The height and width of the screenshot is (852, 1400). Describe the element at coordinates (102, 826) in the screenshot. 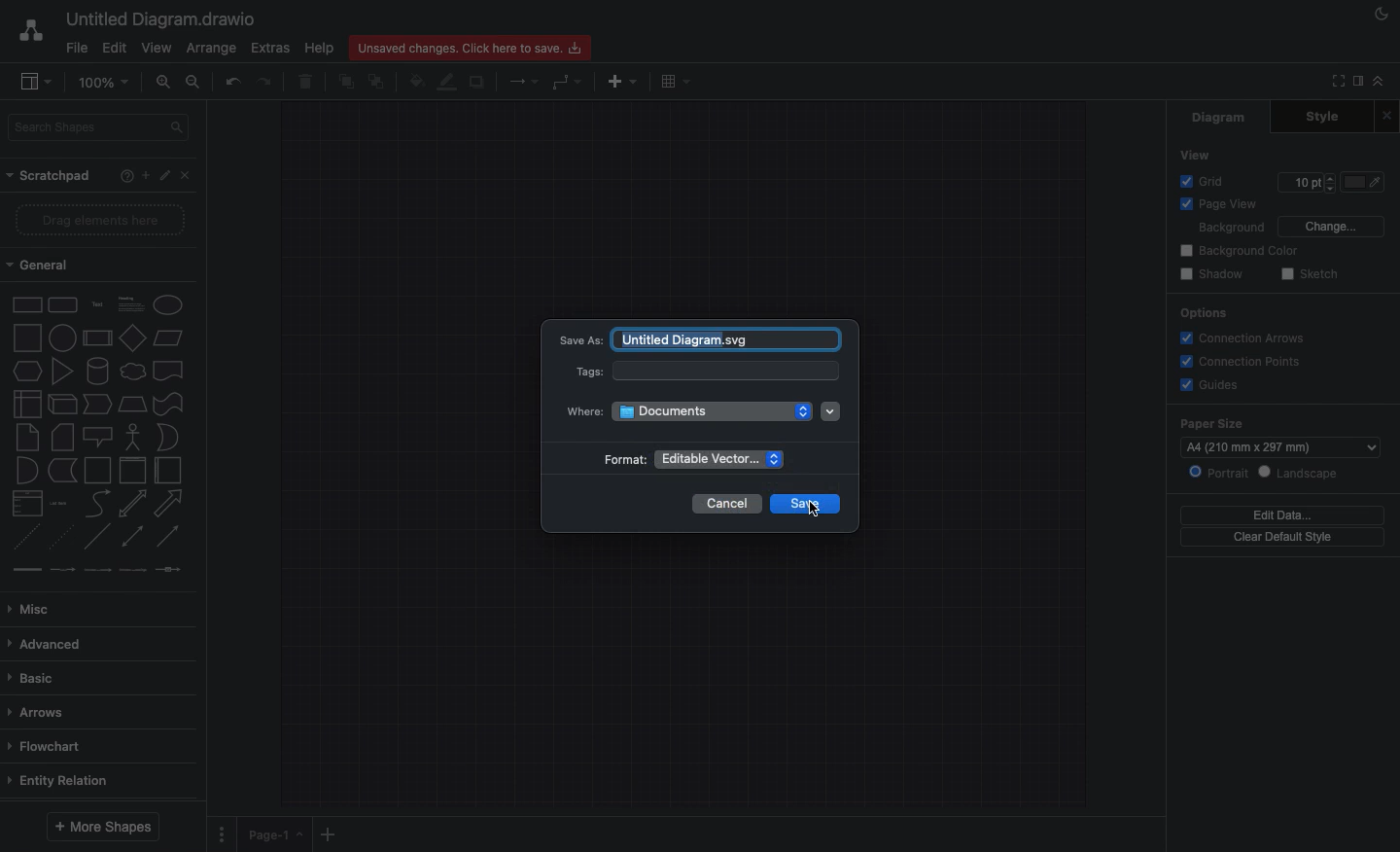

I see `More shapes` at that location.